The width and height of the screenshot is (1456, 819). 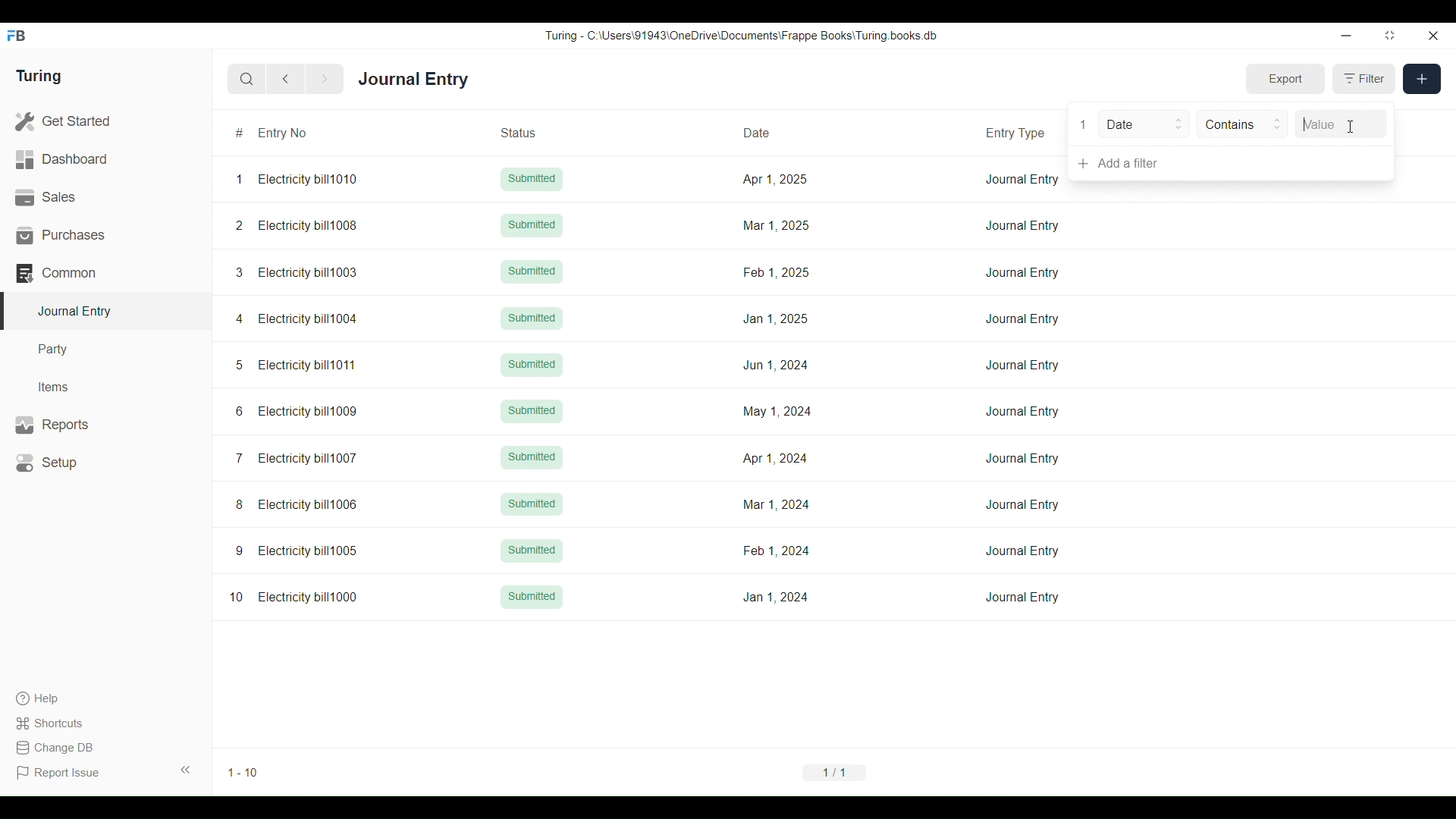 I want to click on Submitted, so click(x=532, y=272).